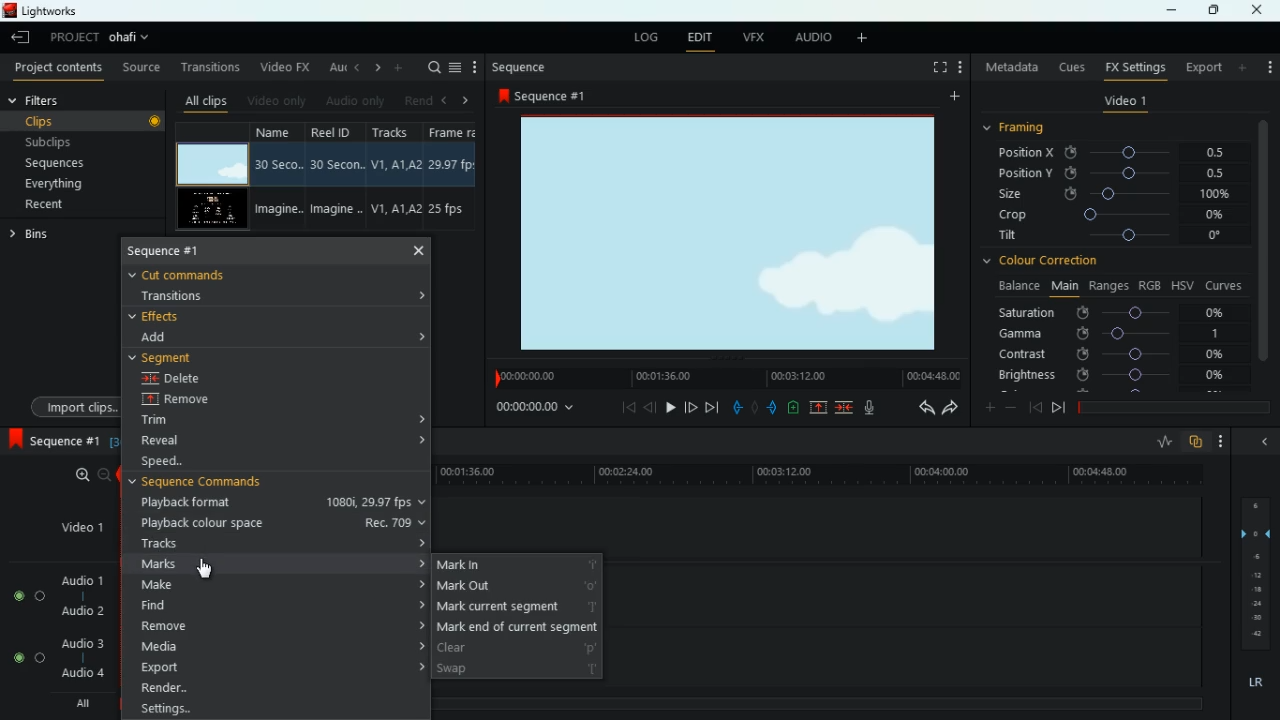 The image size is (1280, 720). I want to click on all clips, so click(203, 101).